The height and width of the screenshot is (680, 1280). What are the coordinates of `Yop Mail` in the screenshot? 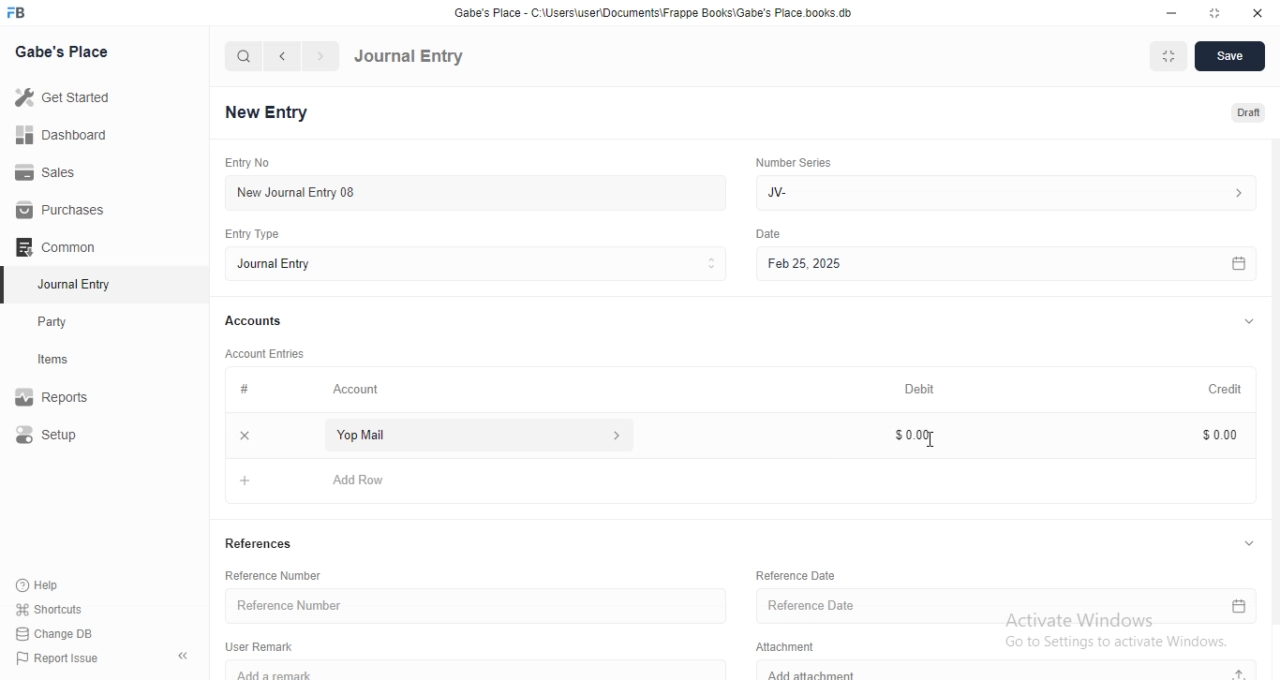 It's located at (473, 435).